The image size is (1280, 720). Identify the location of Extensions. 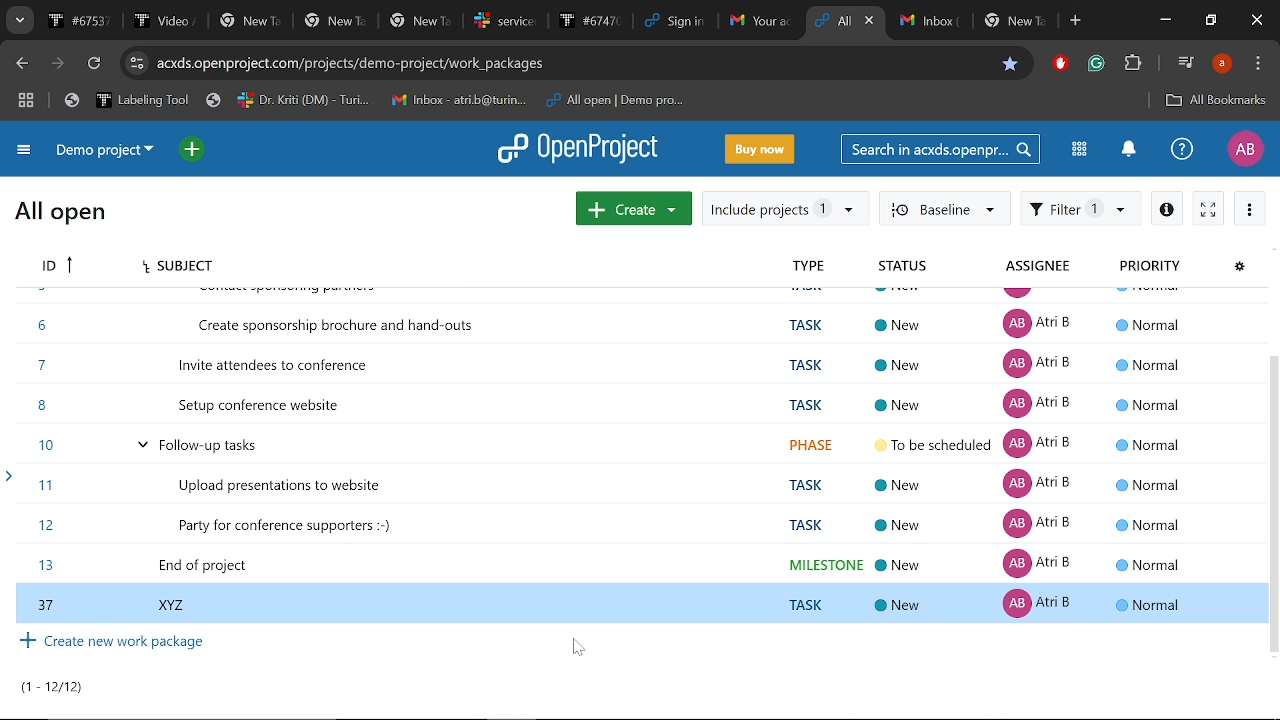
(1133, 66).